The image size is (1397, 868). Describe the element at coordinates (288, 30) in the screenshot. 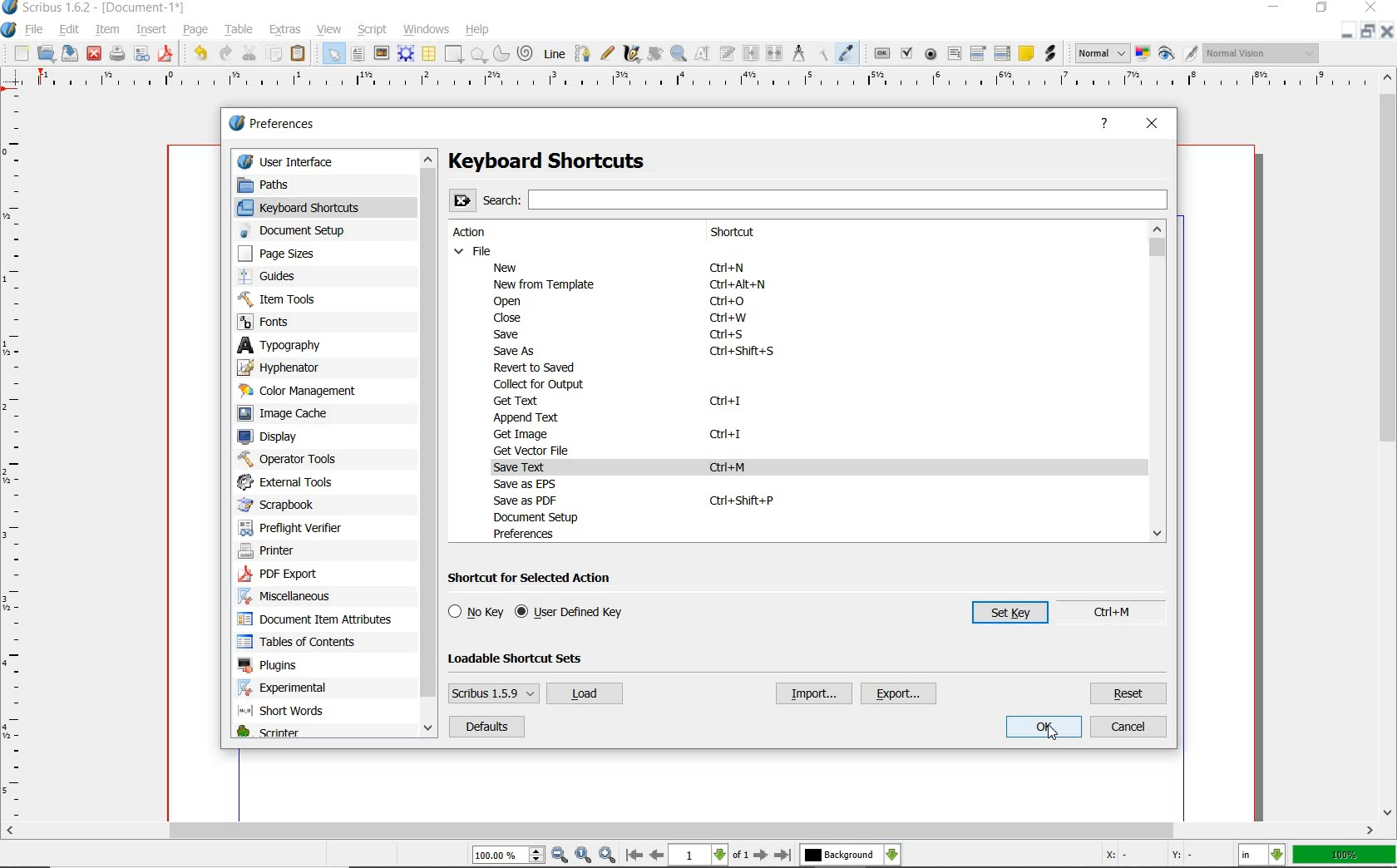

I see `extras` at that location.